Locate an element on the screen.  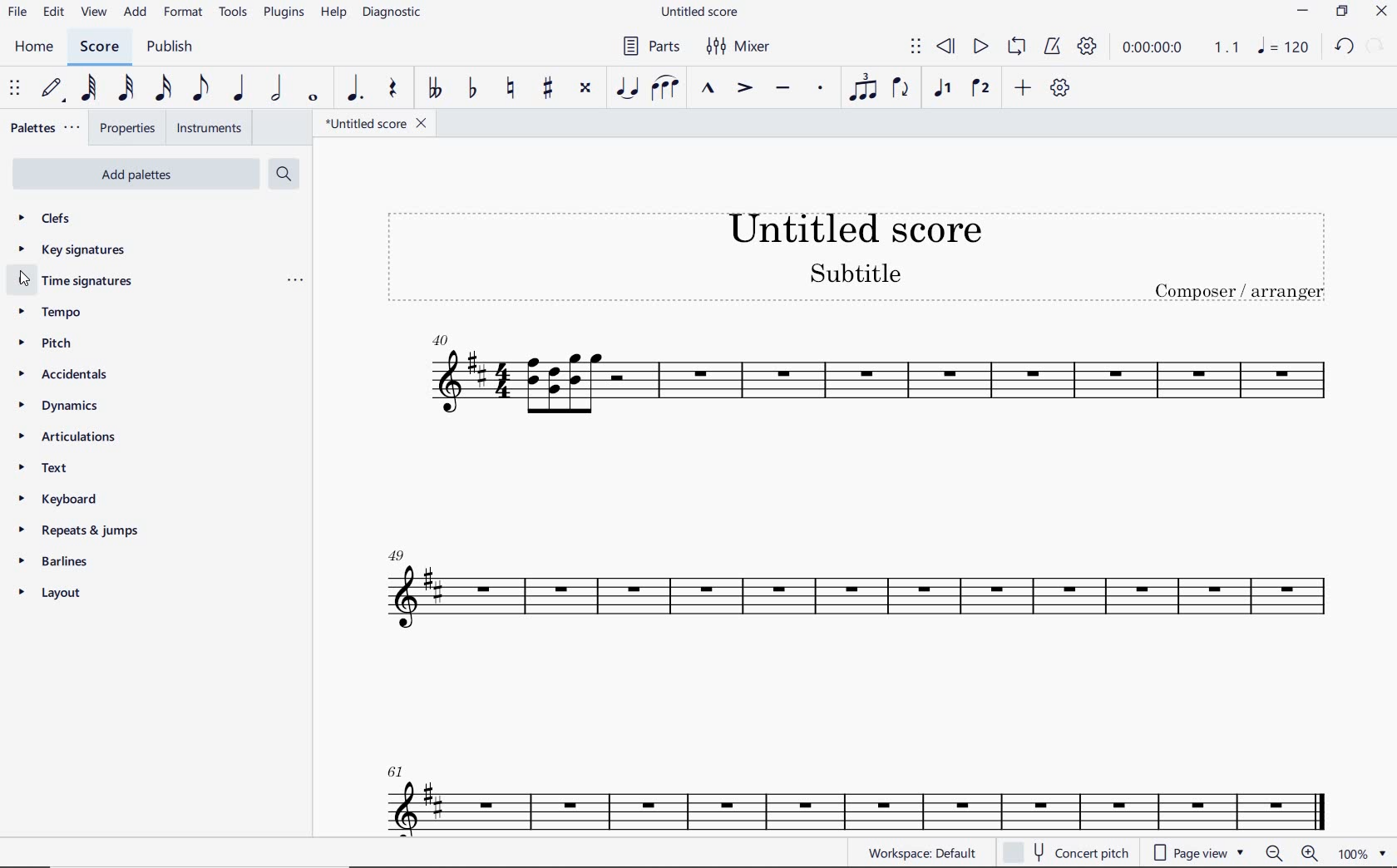
INSTRUMENT: TENOR SAXOPHONE is located at coordinates (856, 578).